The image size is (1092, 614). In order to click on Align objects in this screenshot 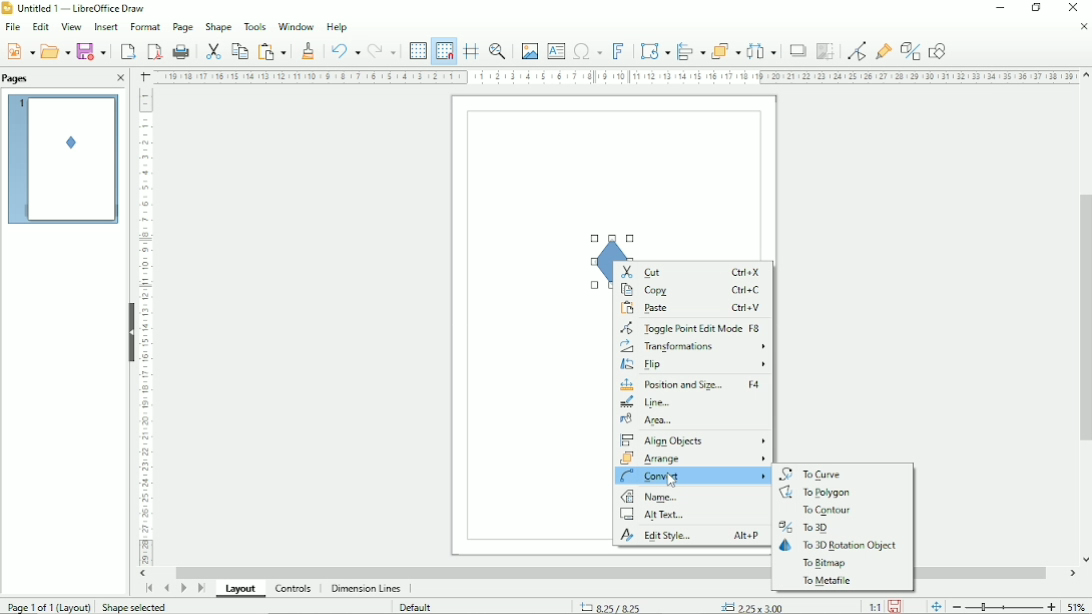, I will do `click(693, 439)`.